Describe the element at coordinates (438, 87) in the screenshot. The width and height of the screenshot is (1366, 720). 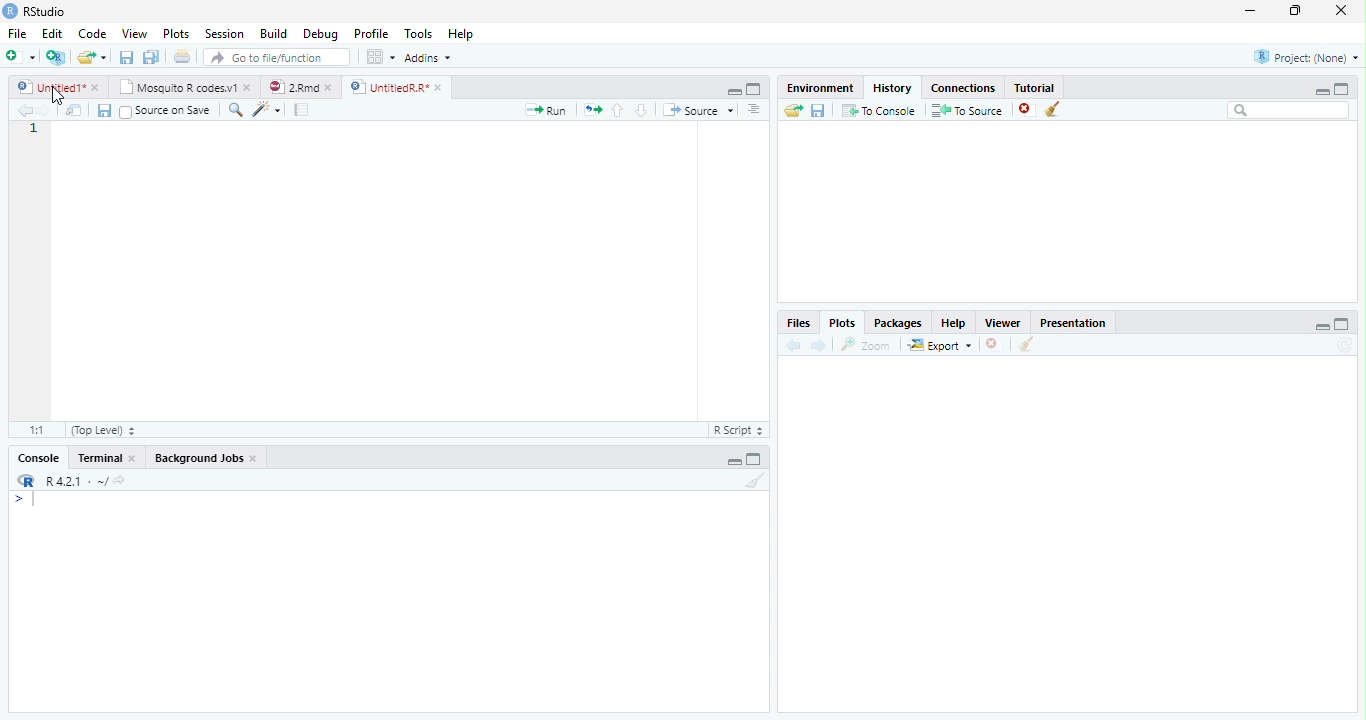
I see `close` at that location.